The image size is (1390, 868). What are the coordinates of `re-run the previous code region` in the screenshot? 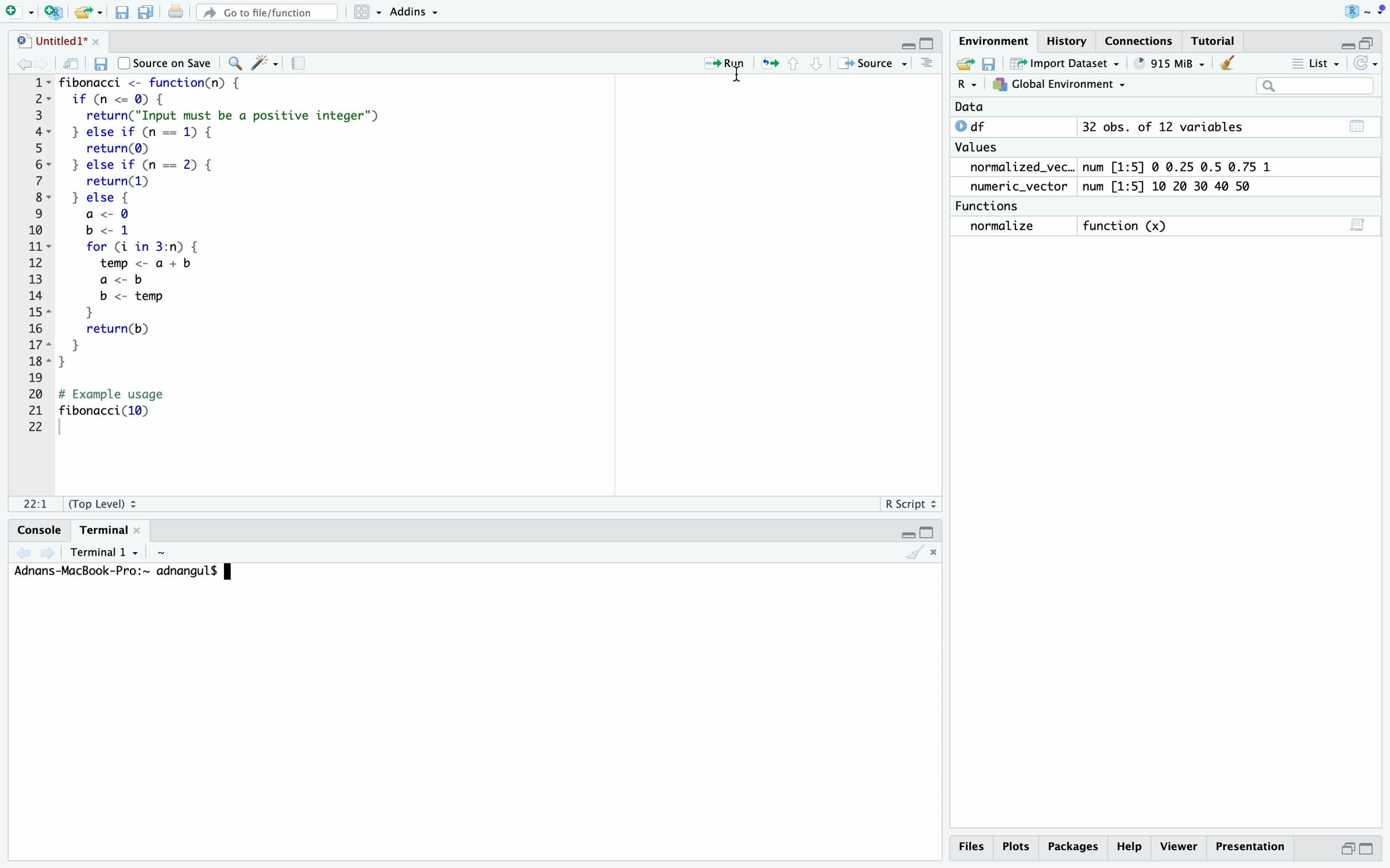 It's located at (769, 62).